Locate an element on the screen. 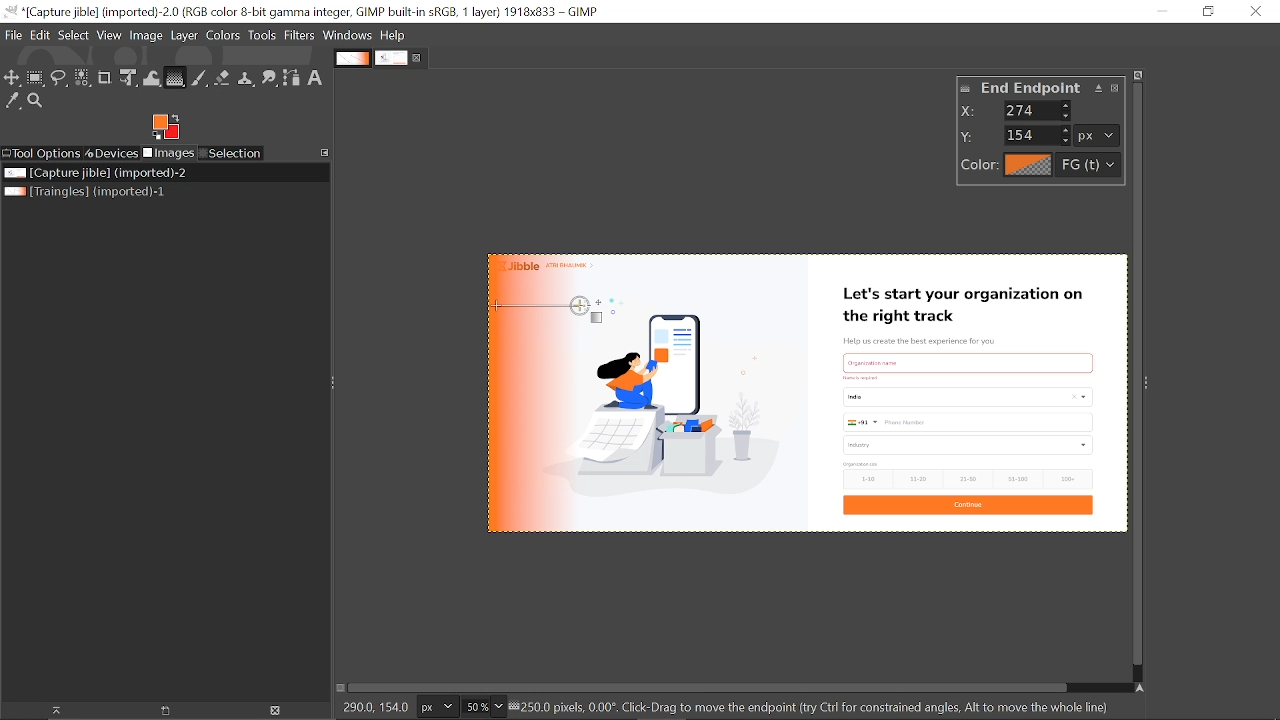 Image resolution: width=1280 pixels, height=720 pixels. File is located at coordinates (14, 34).